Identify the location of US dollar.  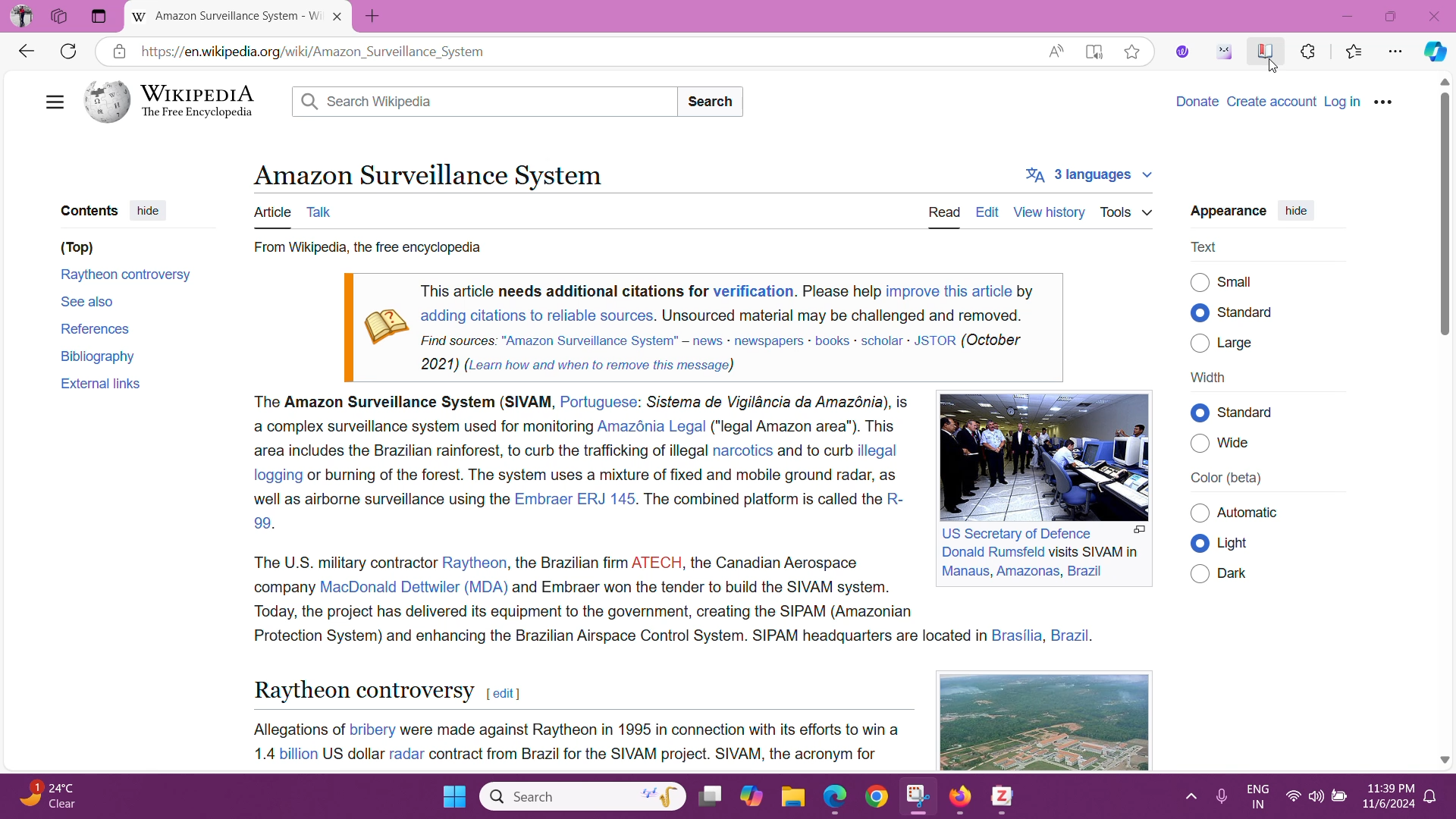
(352, 754).